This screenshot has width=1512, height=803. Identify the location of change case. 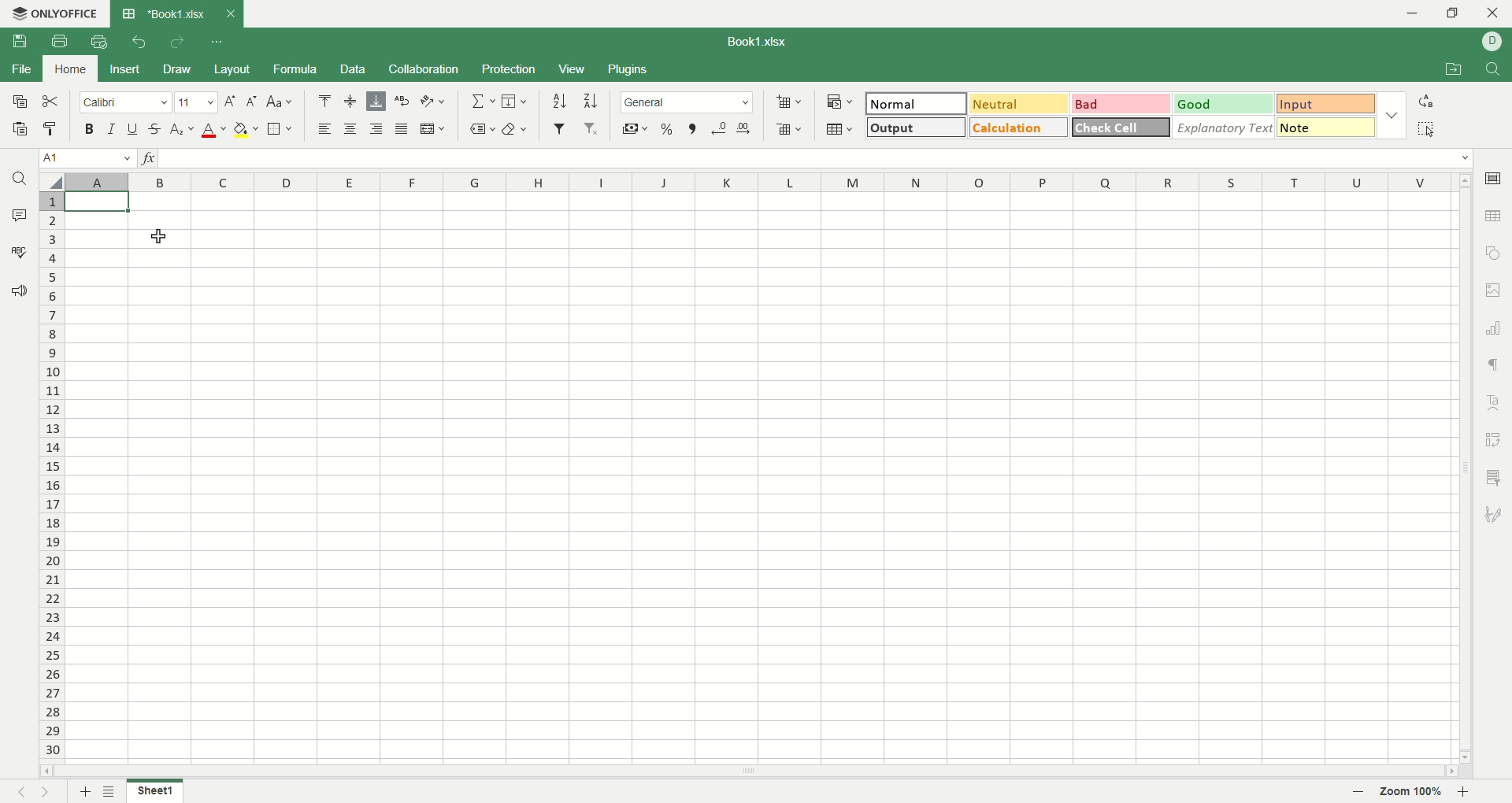
(281, 102).